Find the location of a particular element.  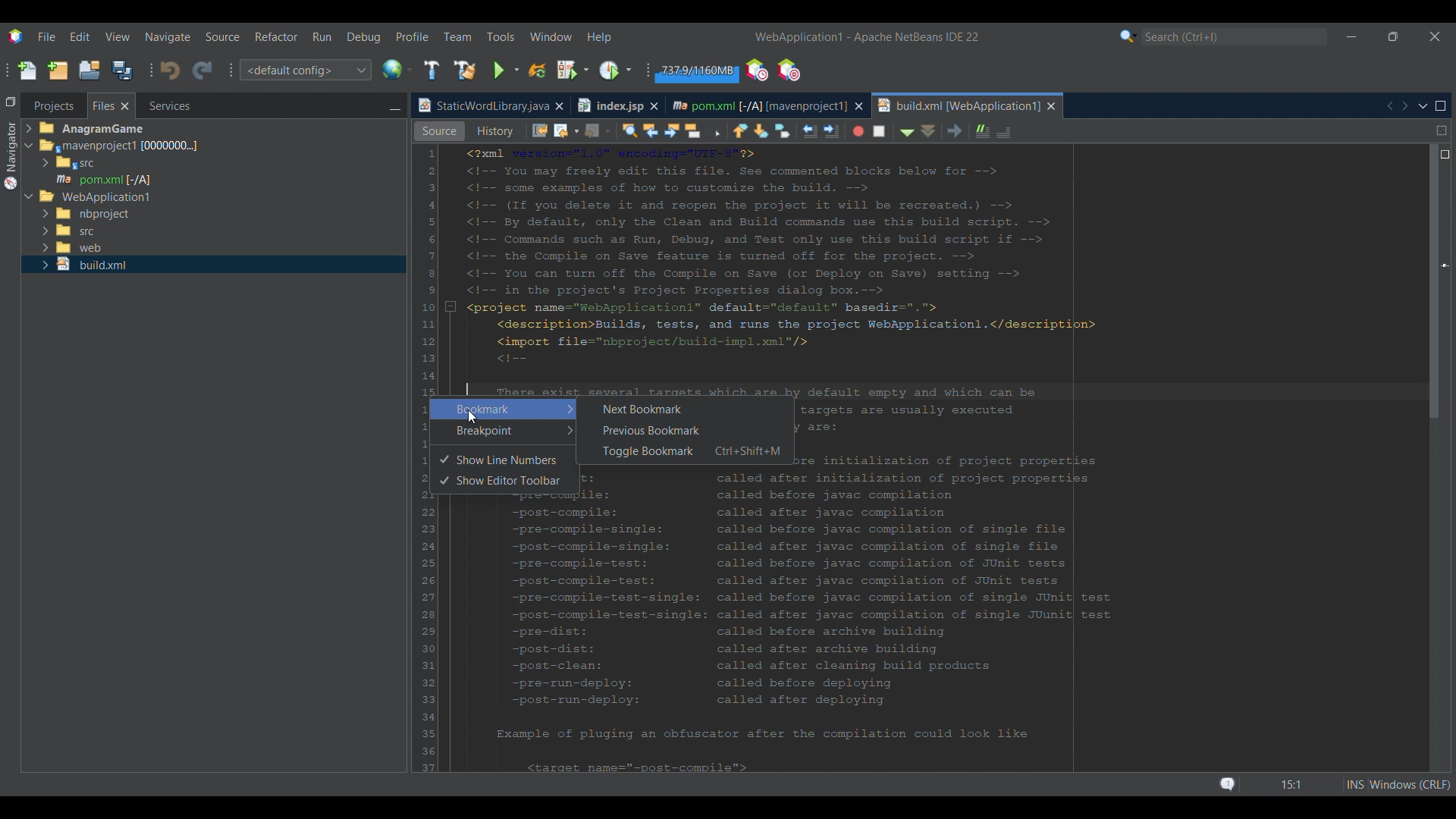

Profile the IDE is located at coordinates (758, 71).